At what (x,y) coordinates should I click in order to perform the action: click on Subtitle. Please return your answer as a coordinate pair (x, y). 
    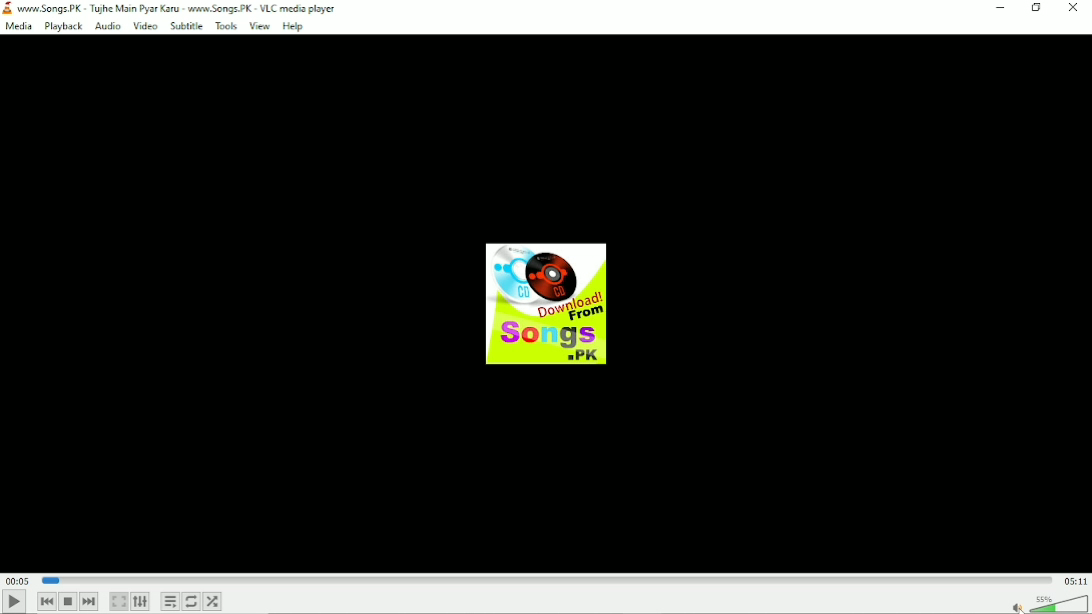
    Looking at the image, I should click on (185, 26).